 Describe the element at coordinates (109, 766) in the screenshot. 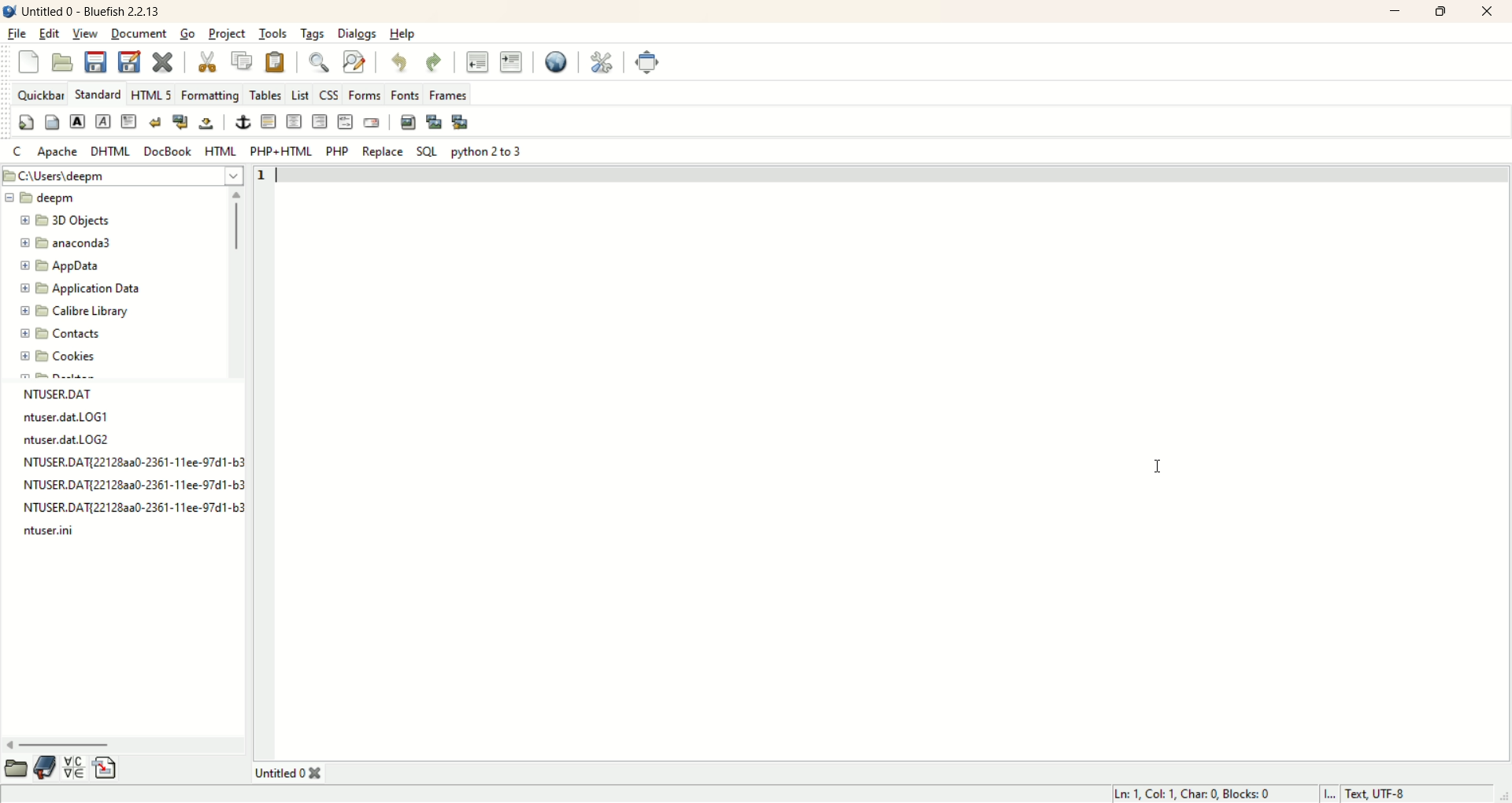

I see `insert file` at that location.